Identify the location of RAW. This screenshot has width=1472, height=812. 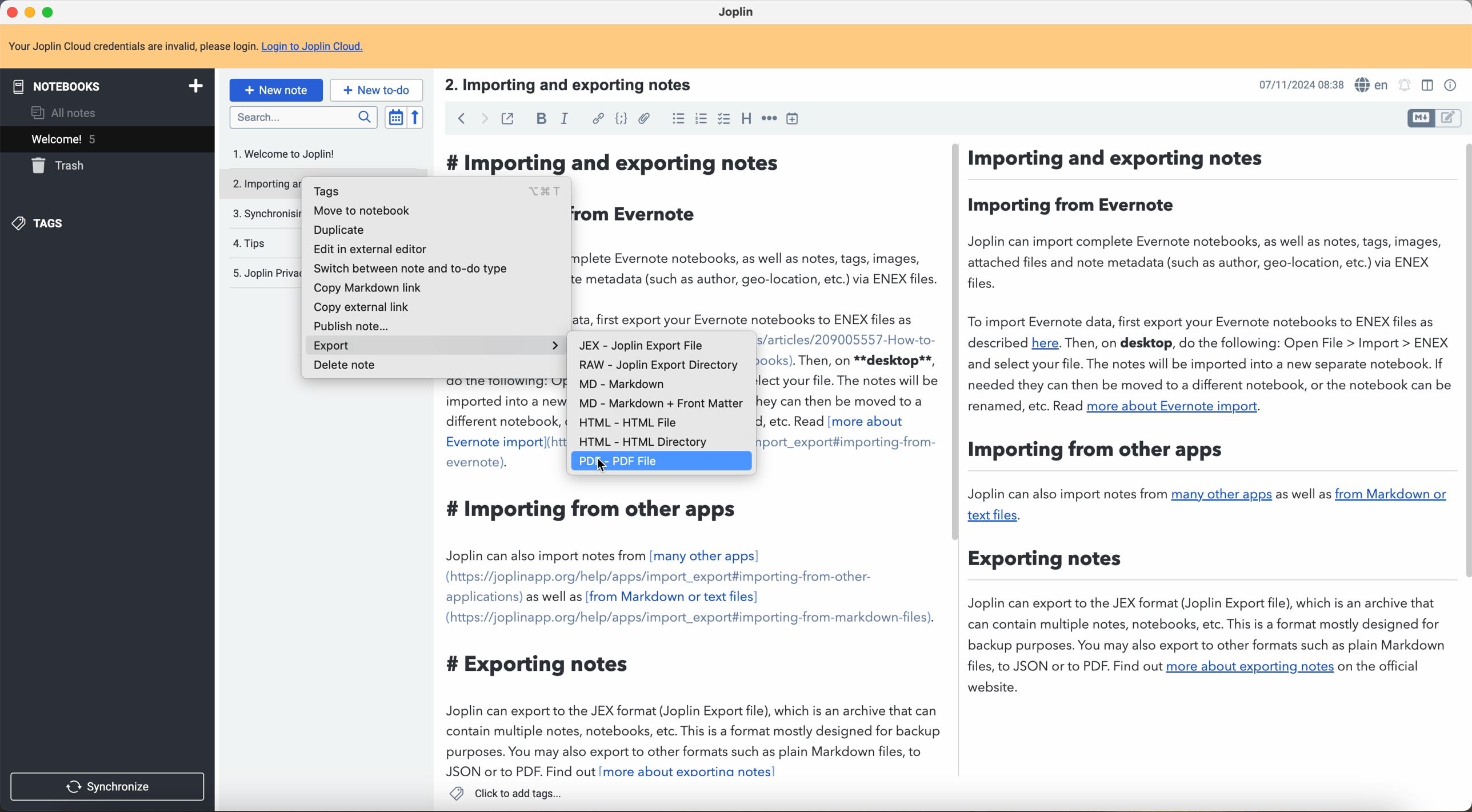
(659, 367).